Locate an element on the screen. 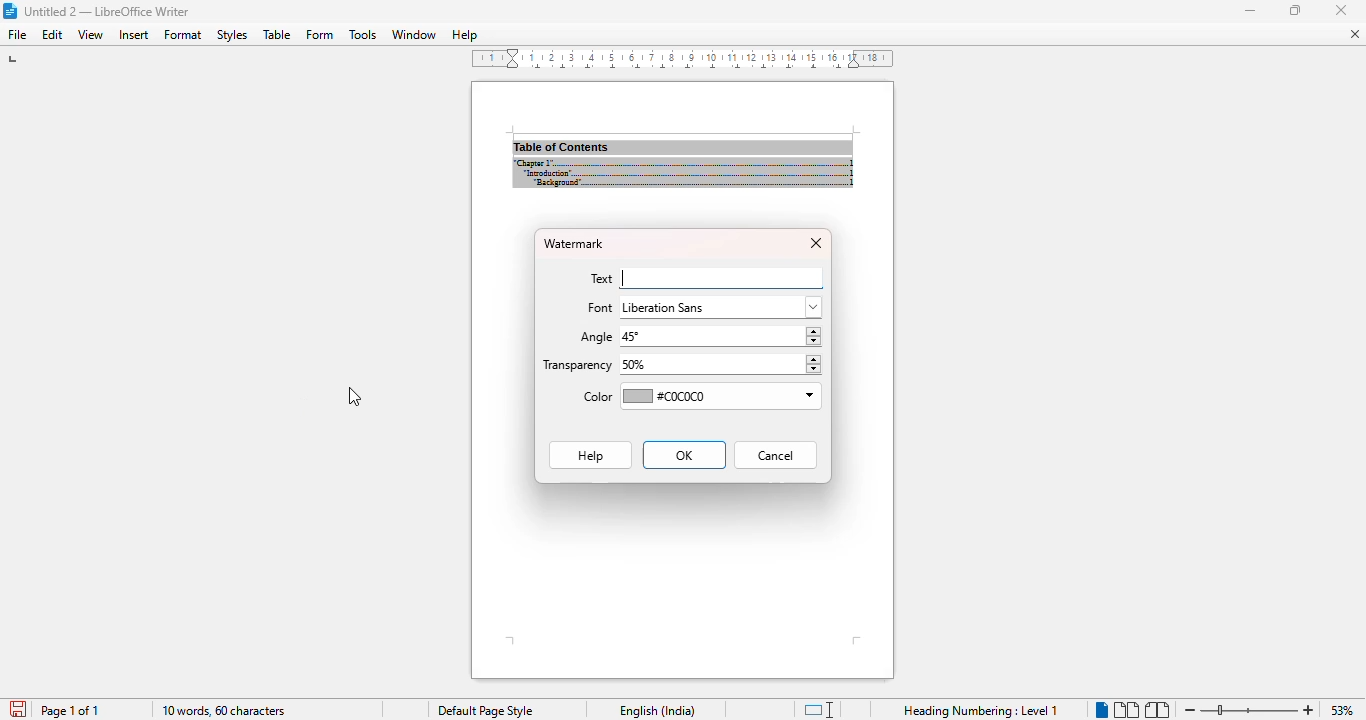 The height and width of the screenshot is (720, 1366). 50% is located at coordinates (721, 364).